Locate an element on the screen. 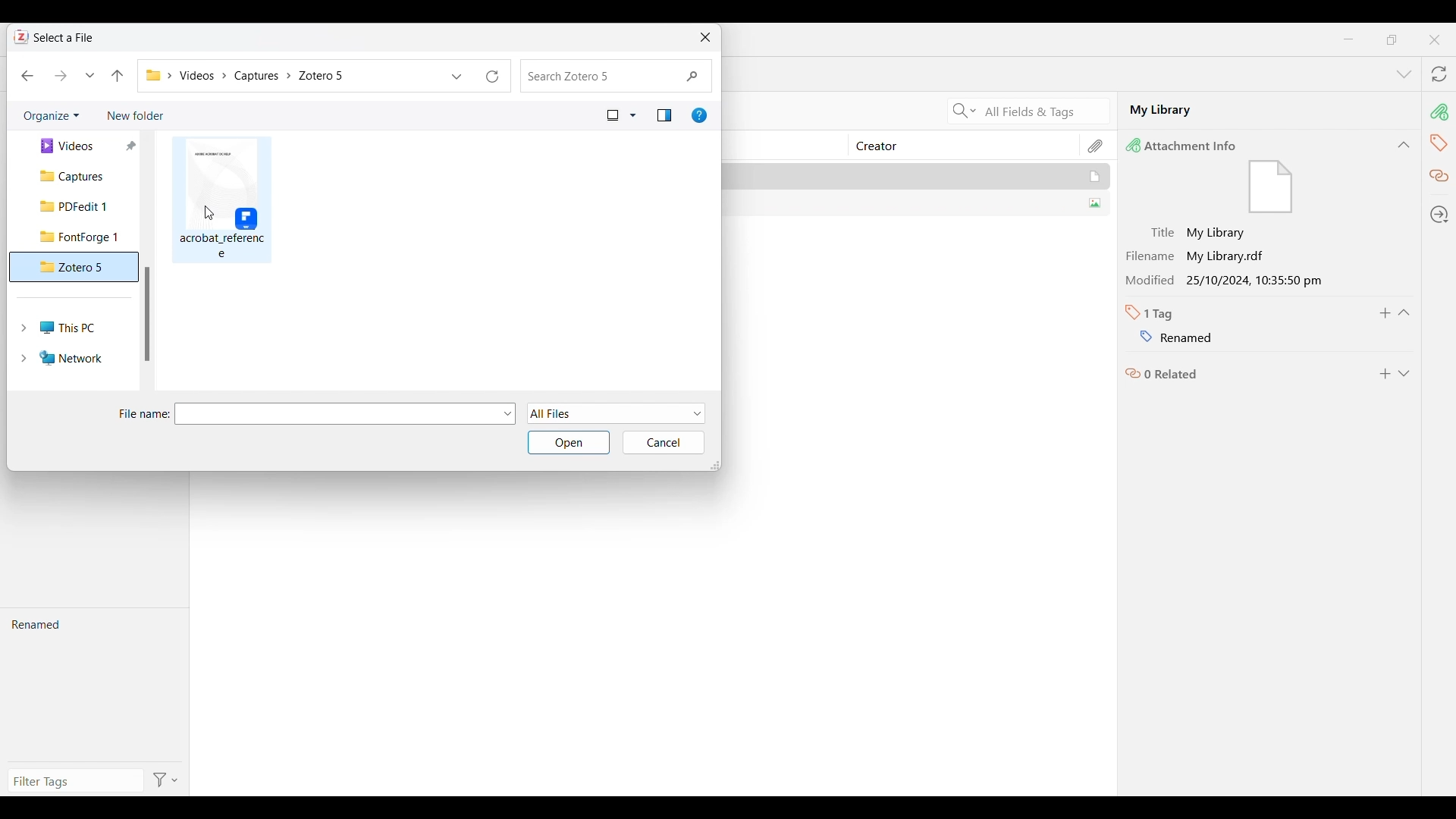 The width and height of the screenshot is (1456, 819). Title My Library is located at coordinates (1200, 230).